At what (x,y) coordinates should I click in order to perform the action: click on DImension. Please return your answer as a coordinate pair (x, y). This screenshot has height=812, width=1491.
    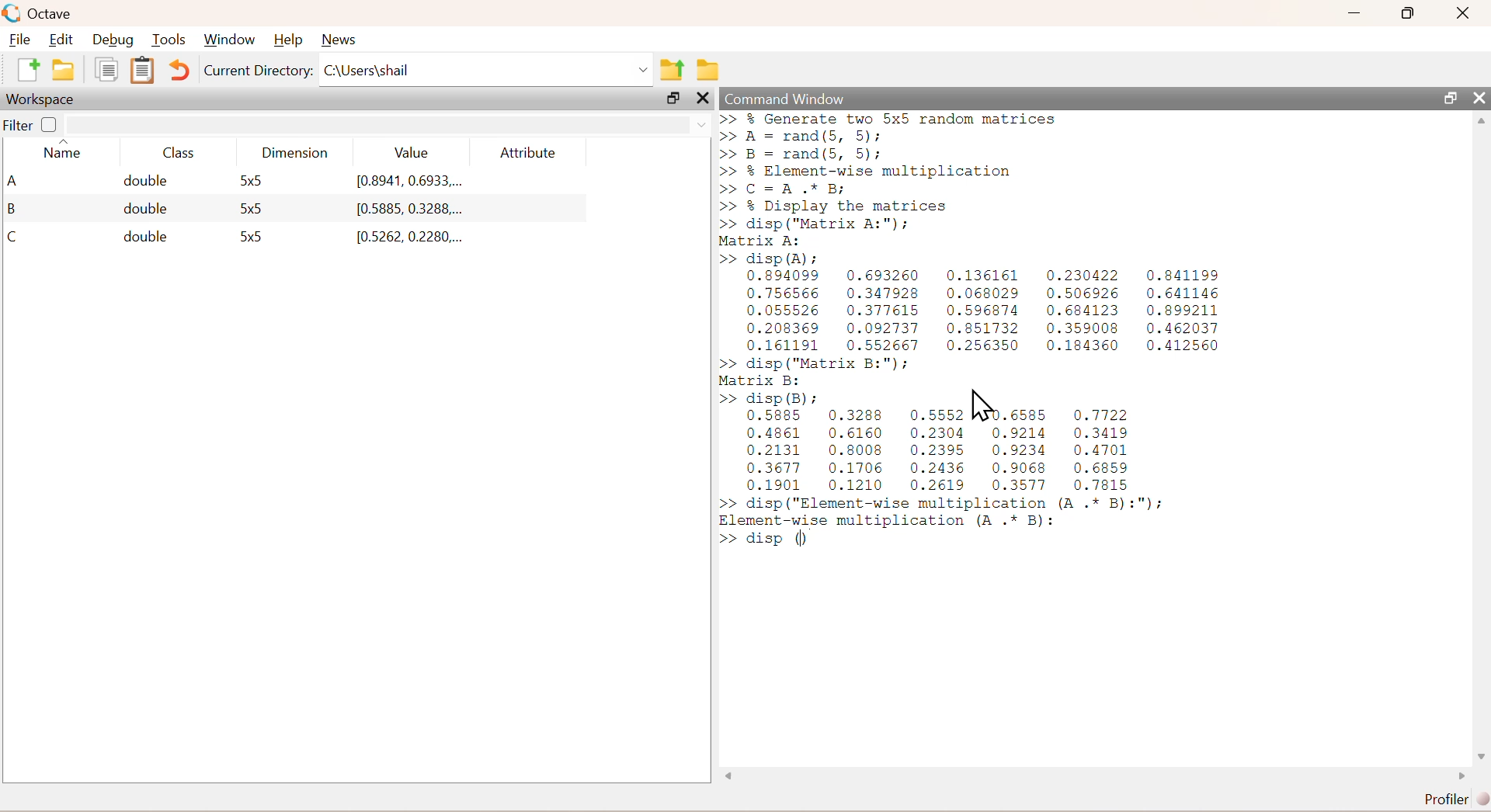
    Looking at the image, I should click on (295, 150).